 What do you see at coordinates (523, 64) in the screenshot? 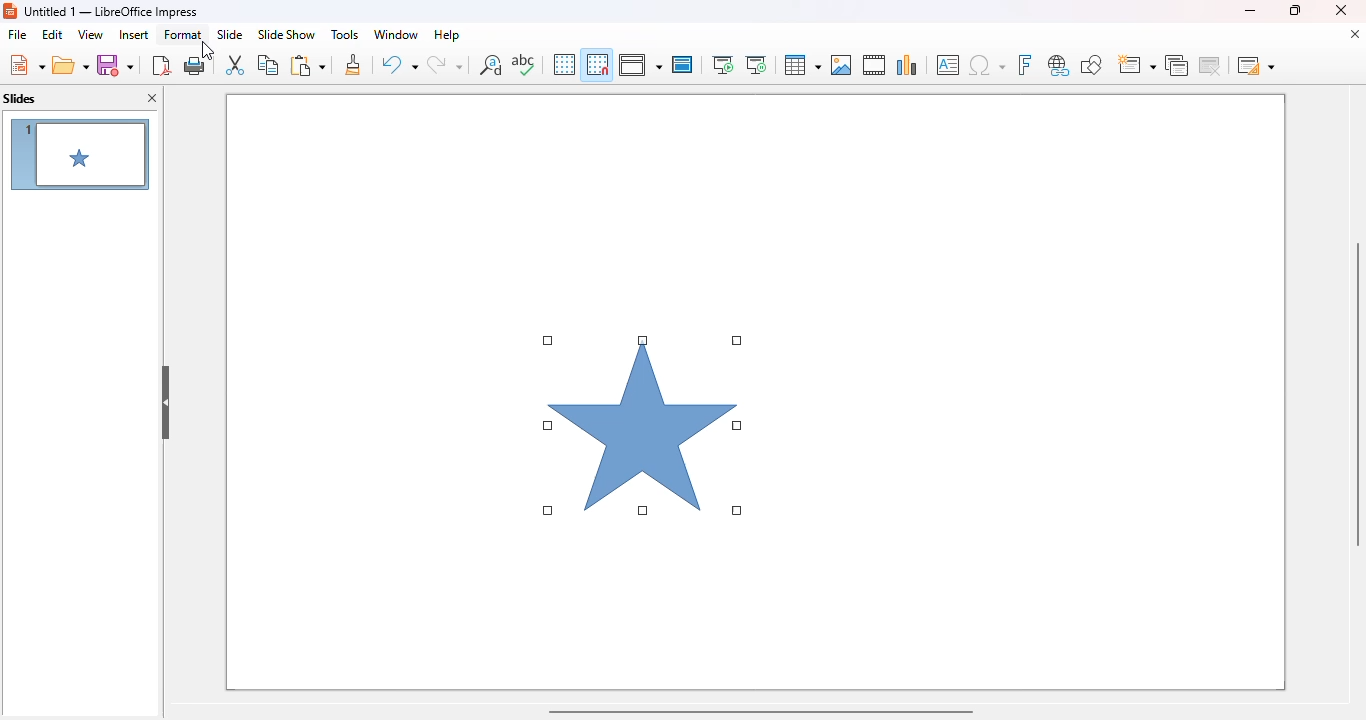
I see `spelling` at bounding box center [523, 64].